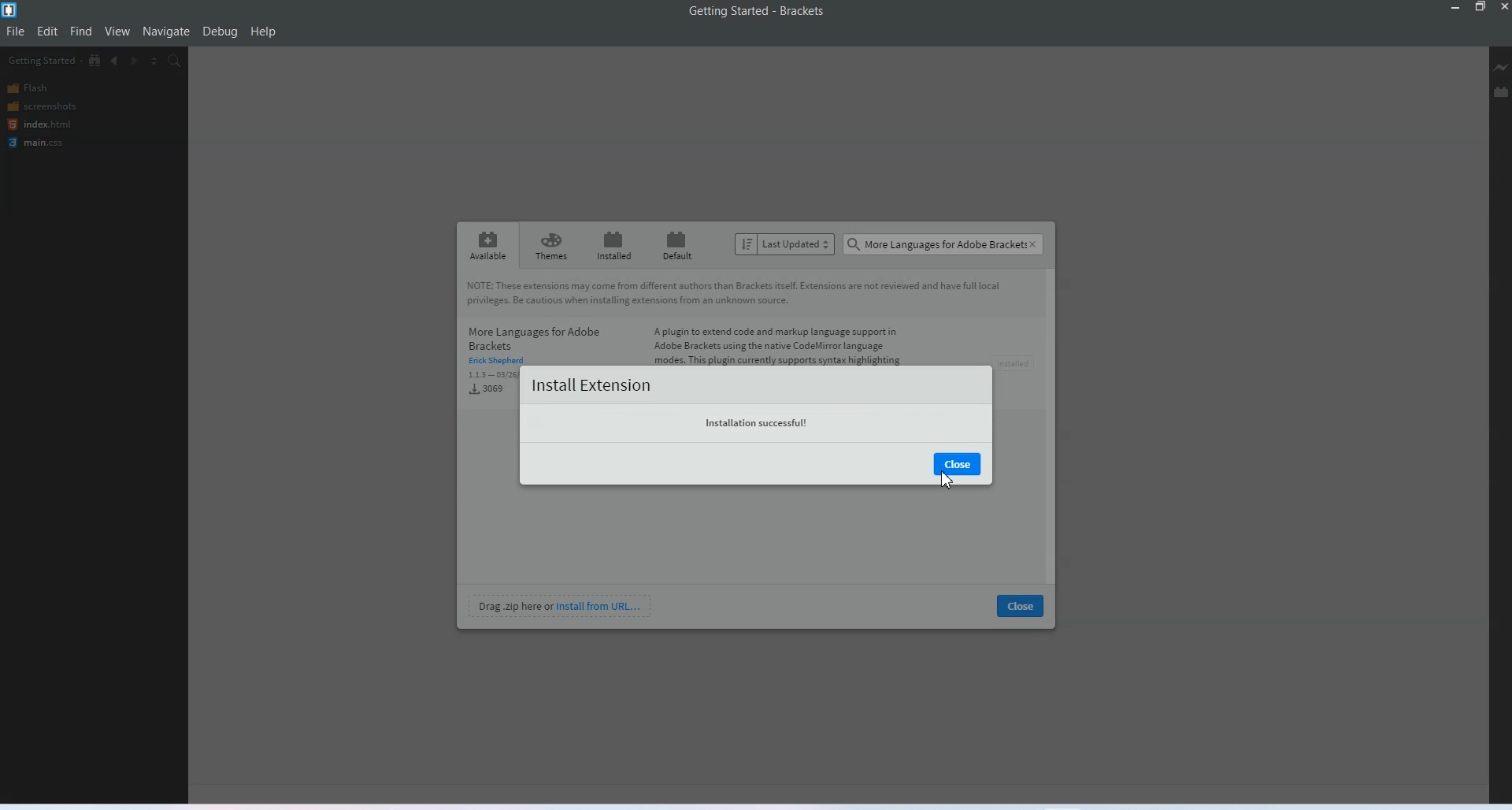 The height and width of the screenshot is (810, 1512). What do you see at coordinates (590, 385) in the screenshot?
I see `install extensions` at bounding box center [590, 385].